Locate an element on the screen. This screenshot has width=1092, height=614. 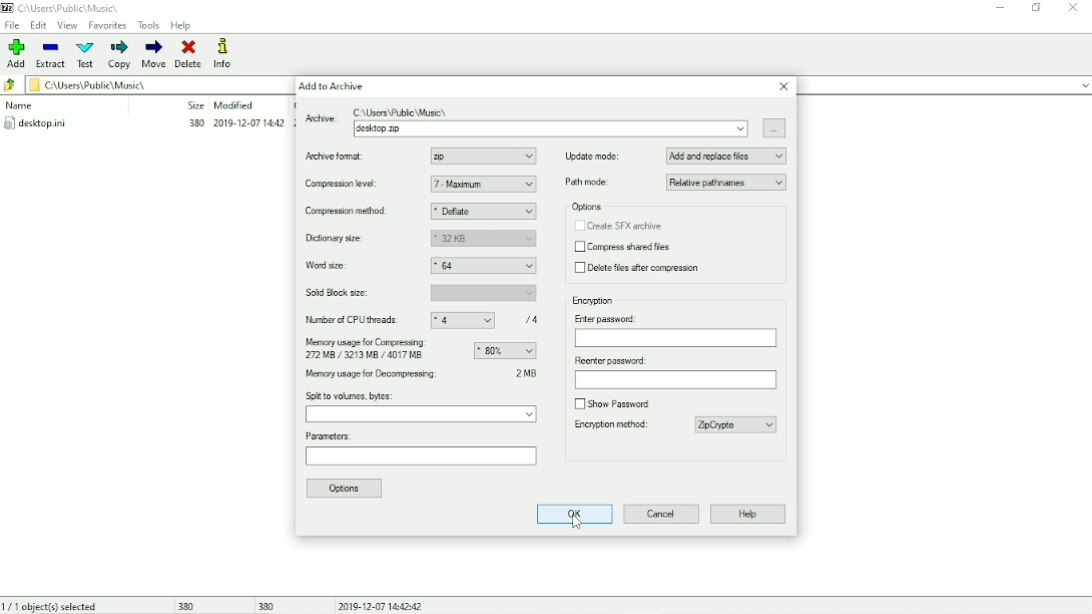
380 is located at coordinates (187, 604).